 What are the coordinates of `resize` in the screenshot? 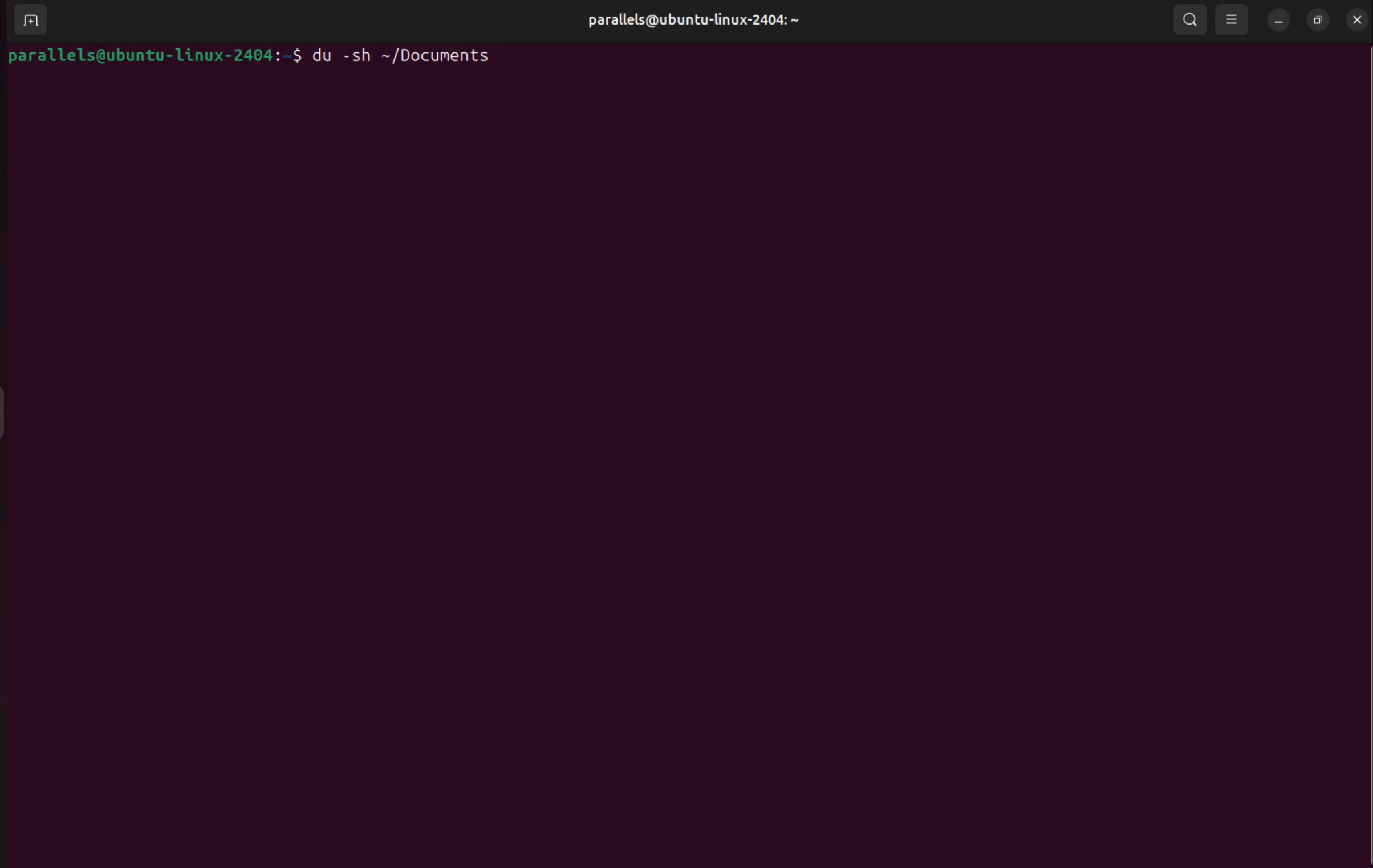 It's located at (1318, 19).